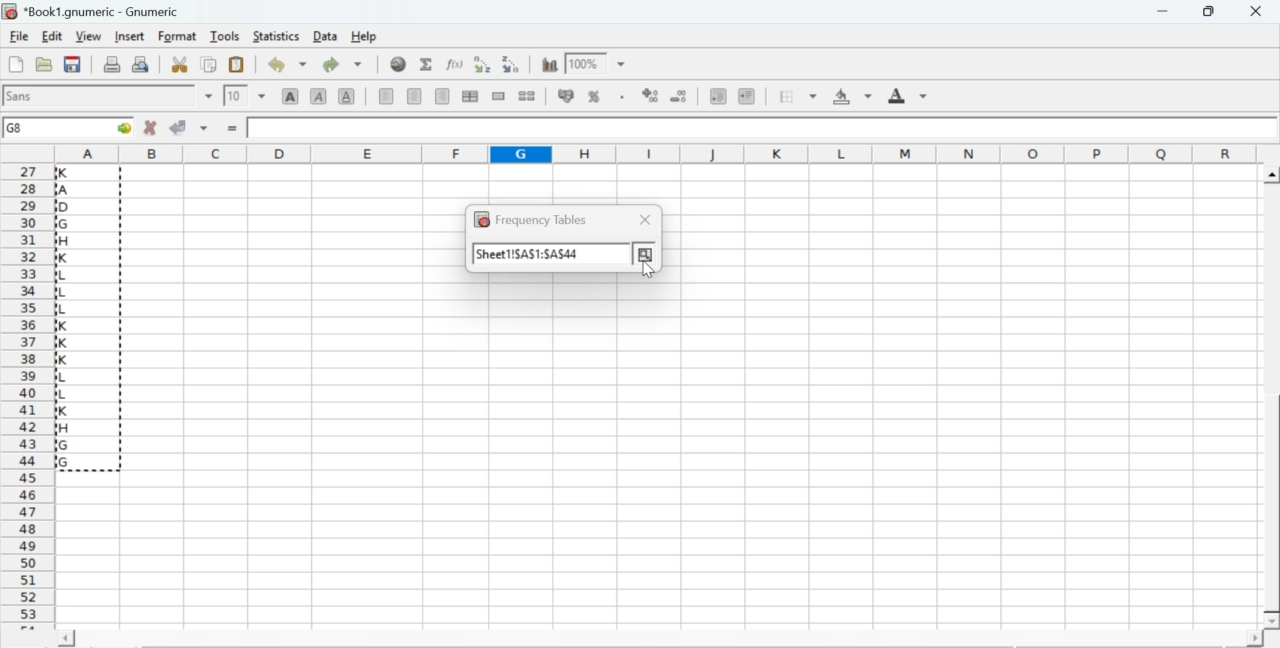  Describe the element at coordinates (530, 219) in the screenshot. I see `frequency tables` at that location.